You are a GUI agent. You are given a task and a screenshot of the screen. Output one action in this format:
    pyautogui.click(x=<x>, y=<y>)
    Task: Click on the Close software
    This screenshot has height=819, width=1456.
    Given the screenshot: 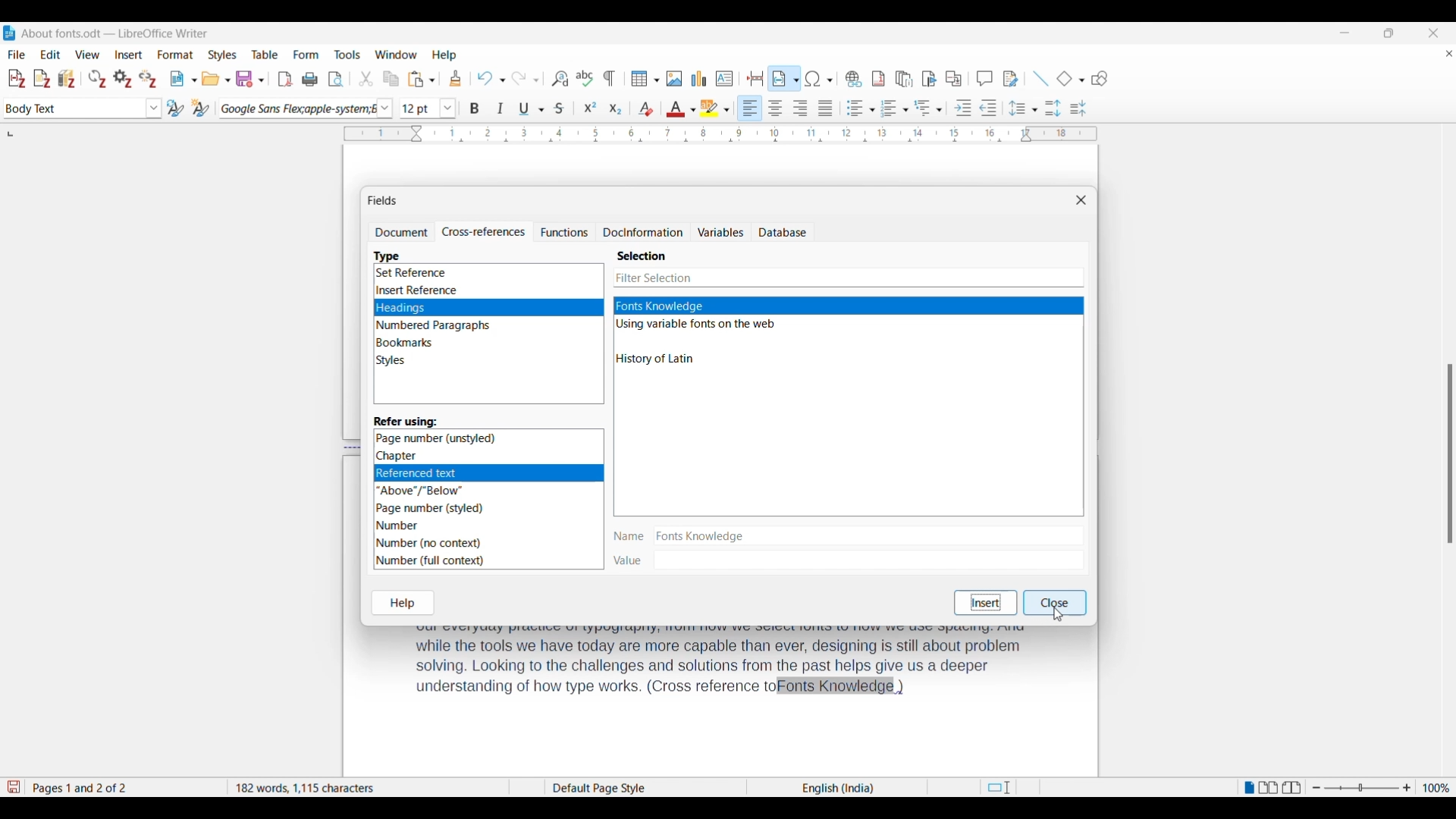 What is the action you would take?
    pyautogui.click(x=1433, y=33)
    